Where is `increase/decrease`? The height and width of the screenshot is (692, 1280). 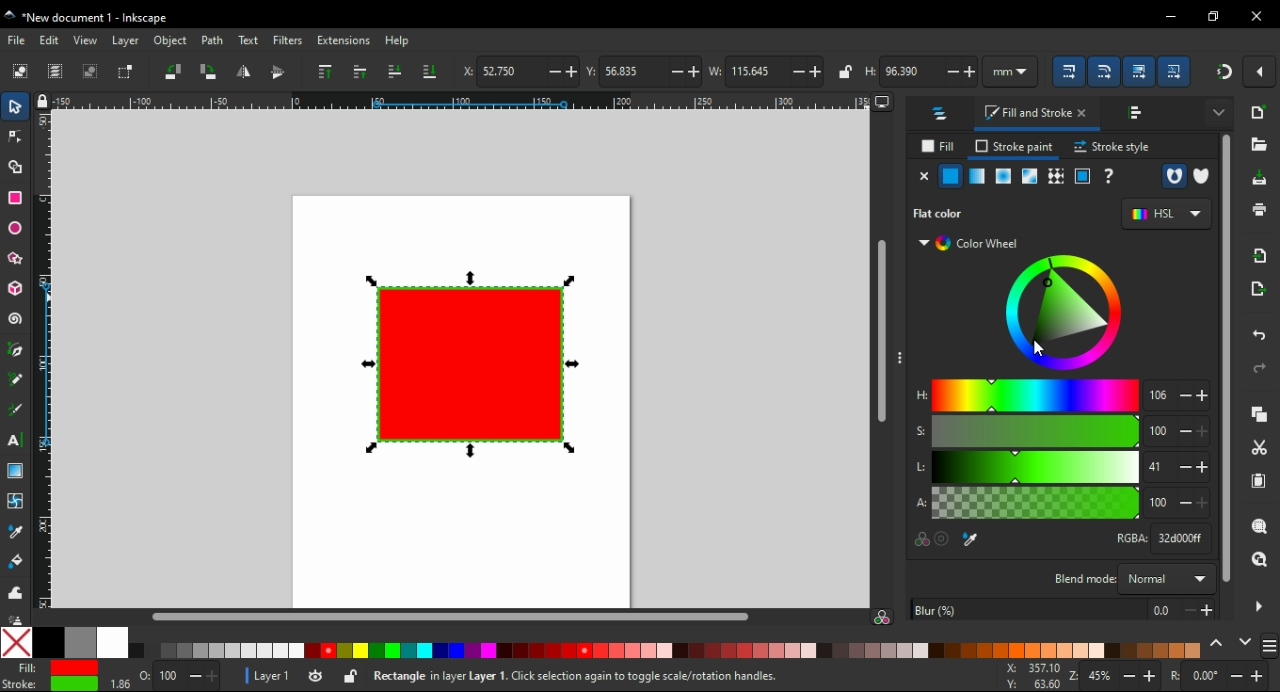
increase/decrease is located at coordinates (1141, 676).